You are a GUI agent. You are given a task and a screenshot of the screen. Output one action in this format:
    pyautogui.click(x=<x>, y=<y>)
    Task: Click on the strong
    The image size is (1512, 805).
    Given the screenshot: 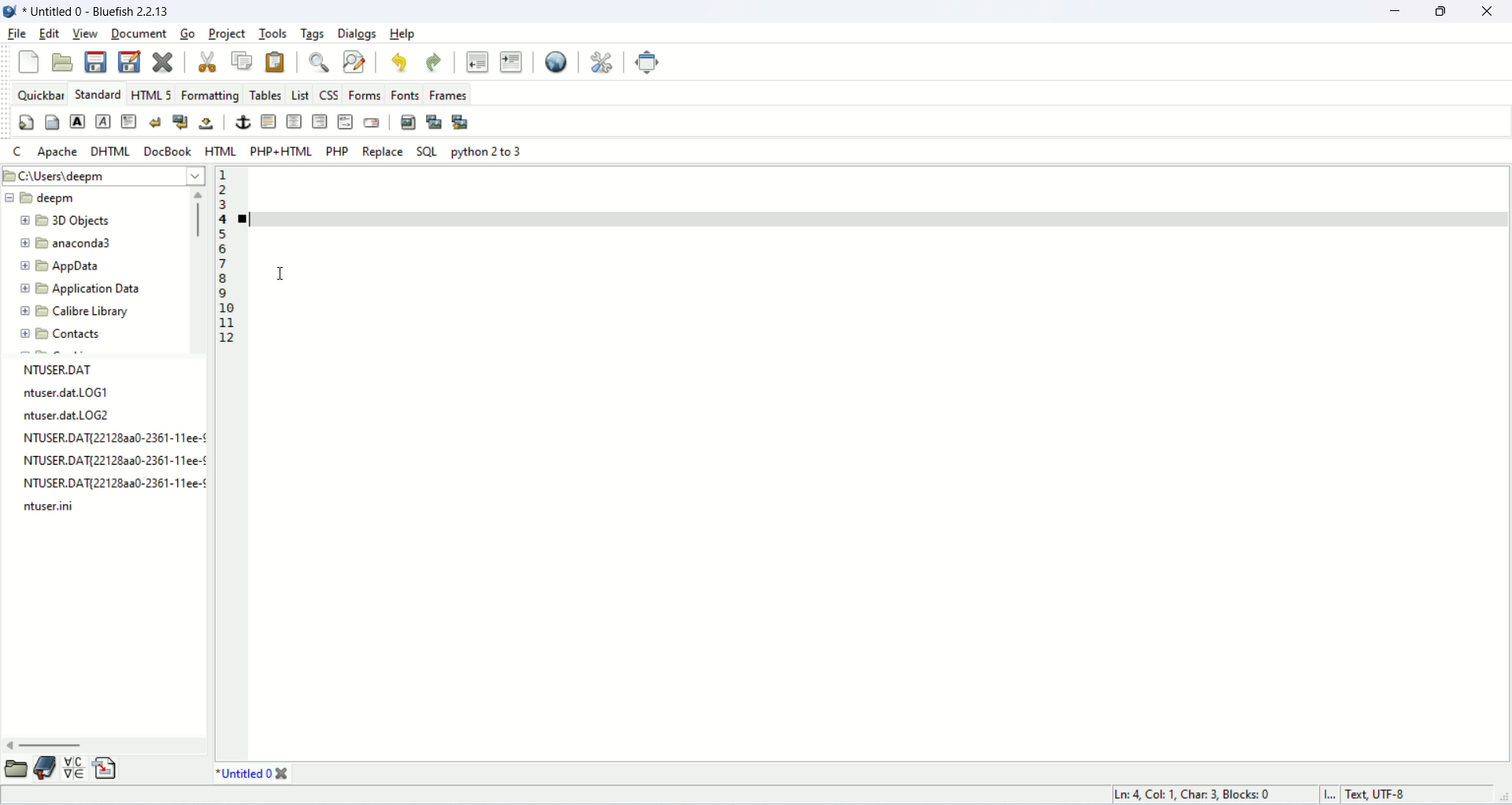 What is the action you would take?
    pyautogui.click(x=76, y=121)
    